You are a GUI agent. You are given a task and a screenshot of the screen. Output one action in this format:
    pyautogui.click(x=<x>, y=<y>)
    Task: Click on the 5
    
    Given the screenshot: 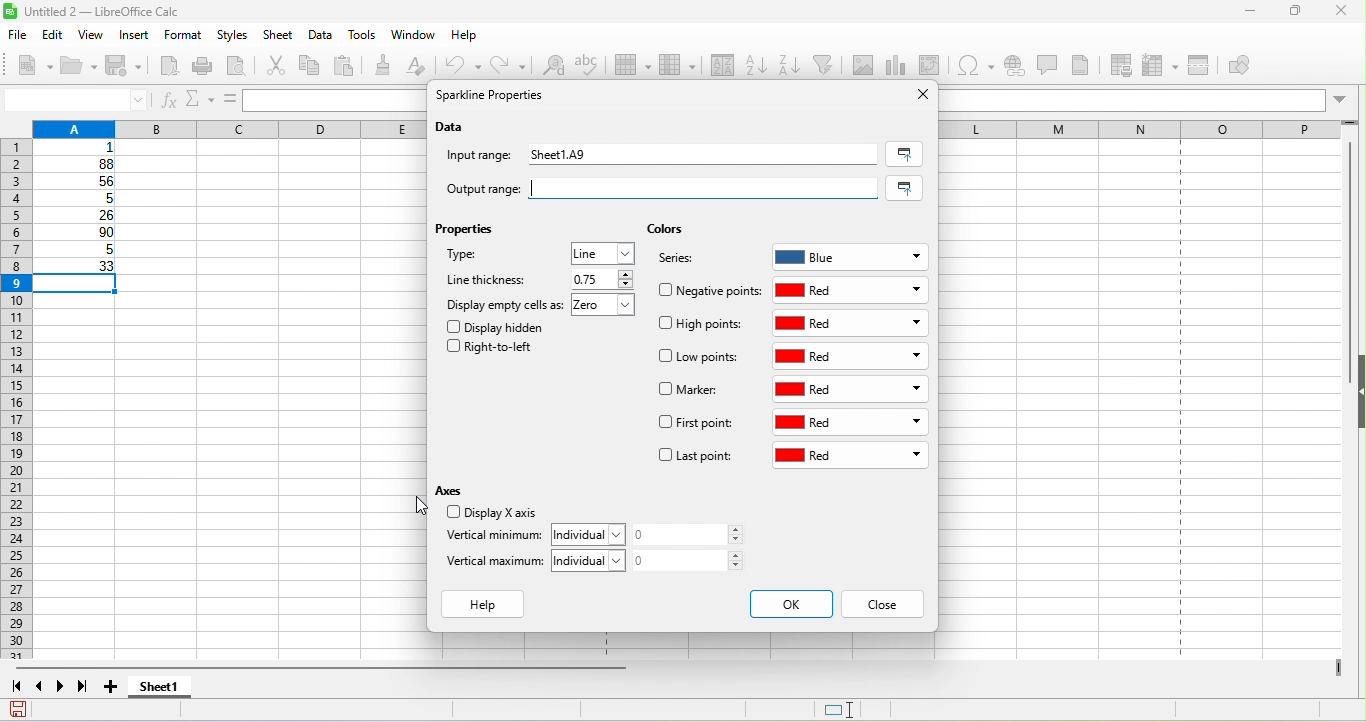 What is the action you would take?
    pyautogui.click(x=76, y=252)
    